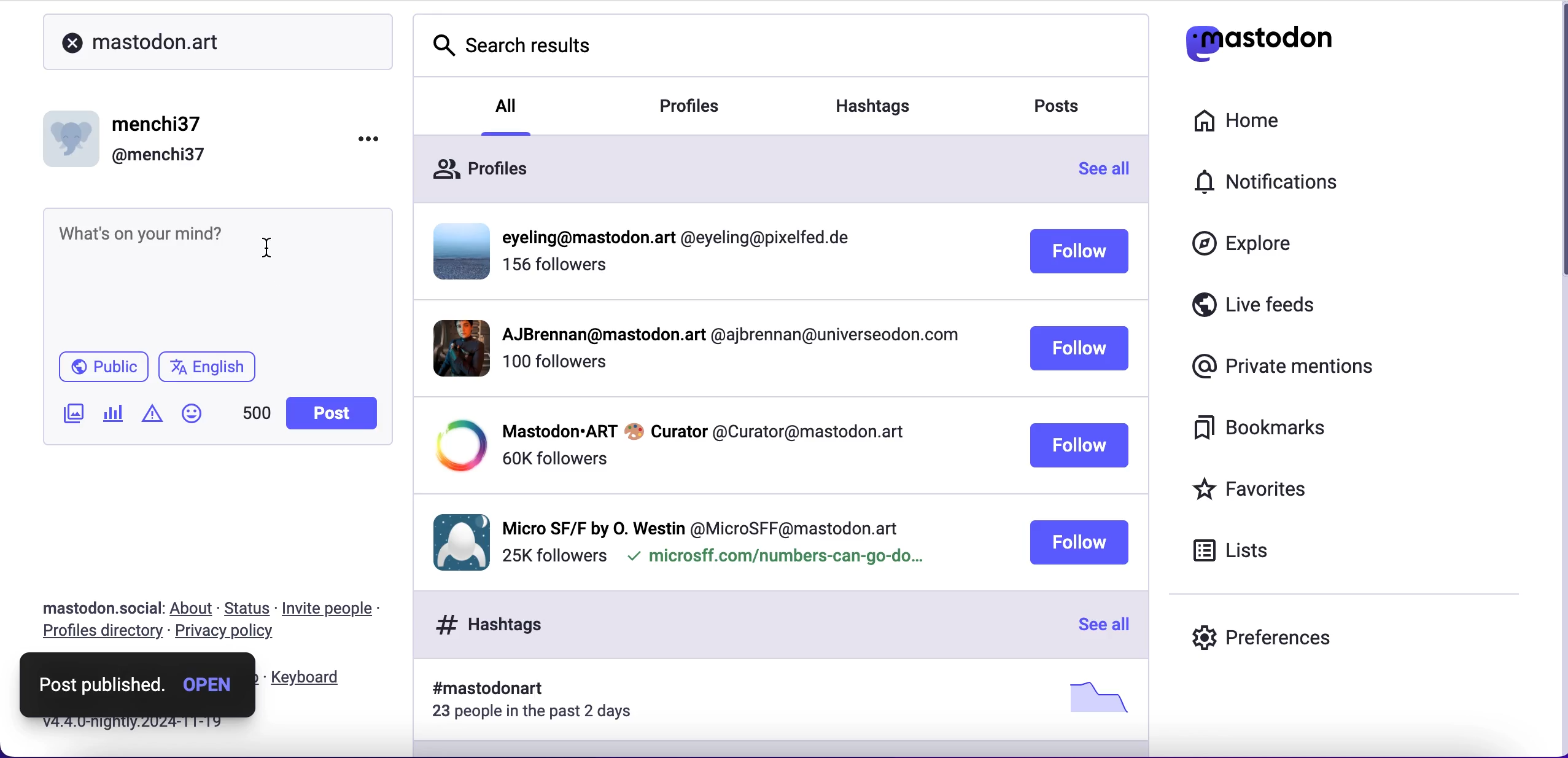  Describe the element at coordinates (728, 338) in the screenshot. I see `profile` at that location.